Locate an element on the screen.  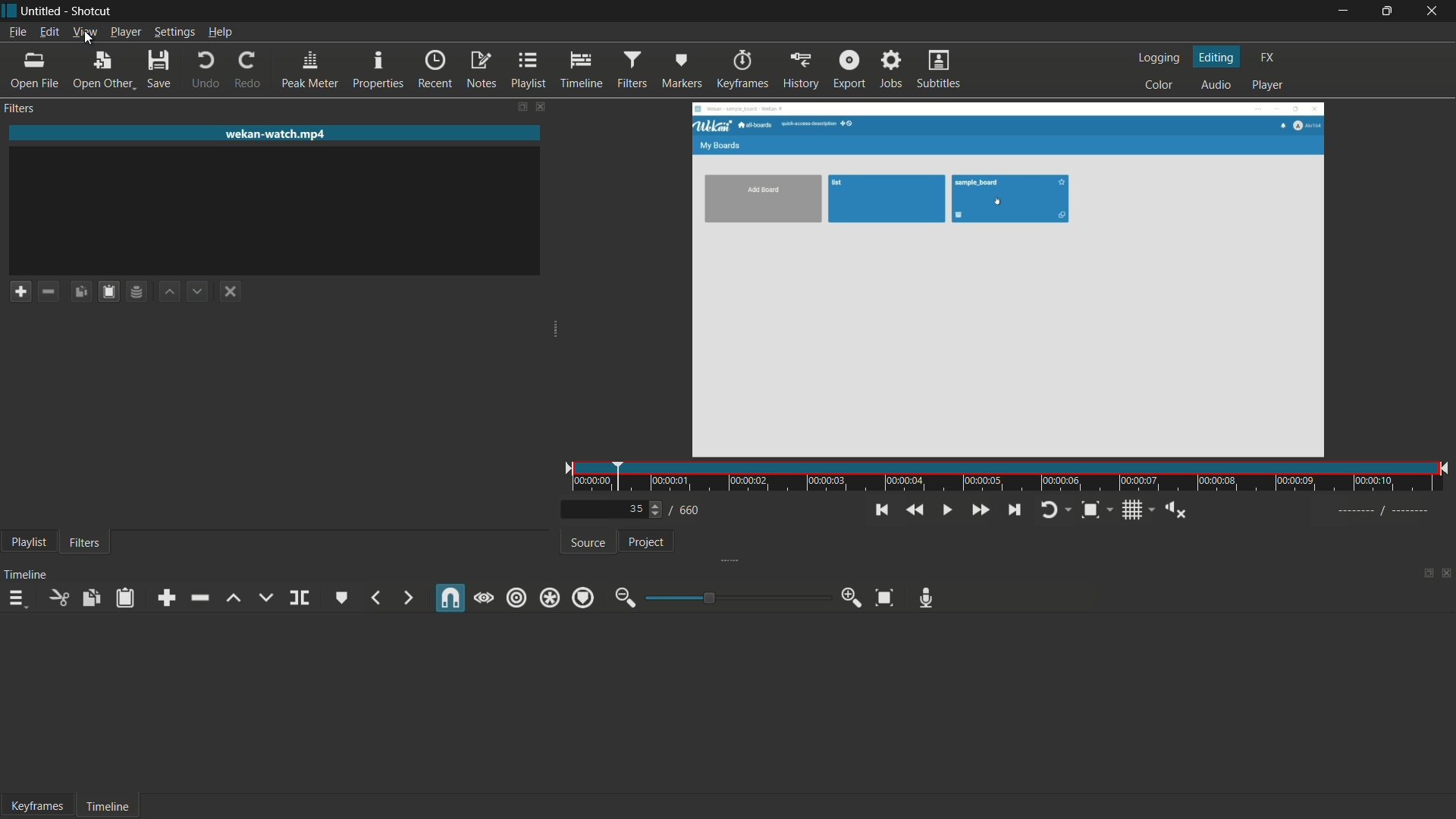
add a filter is located at coordinates (19, 290).